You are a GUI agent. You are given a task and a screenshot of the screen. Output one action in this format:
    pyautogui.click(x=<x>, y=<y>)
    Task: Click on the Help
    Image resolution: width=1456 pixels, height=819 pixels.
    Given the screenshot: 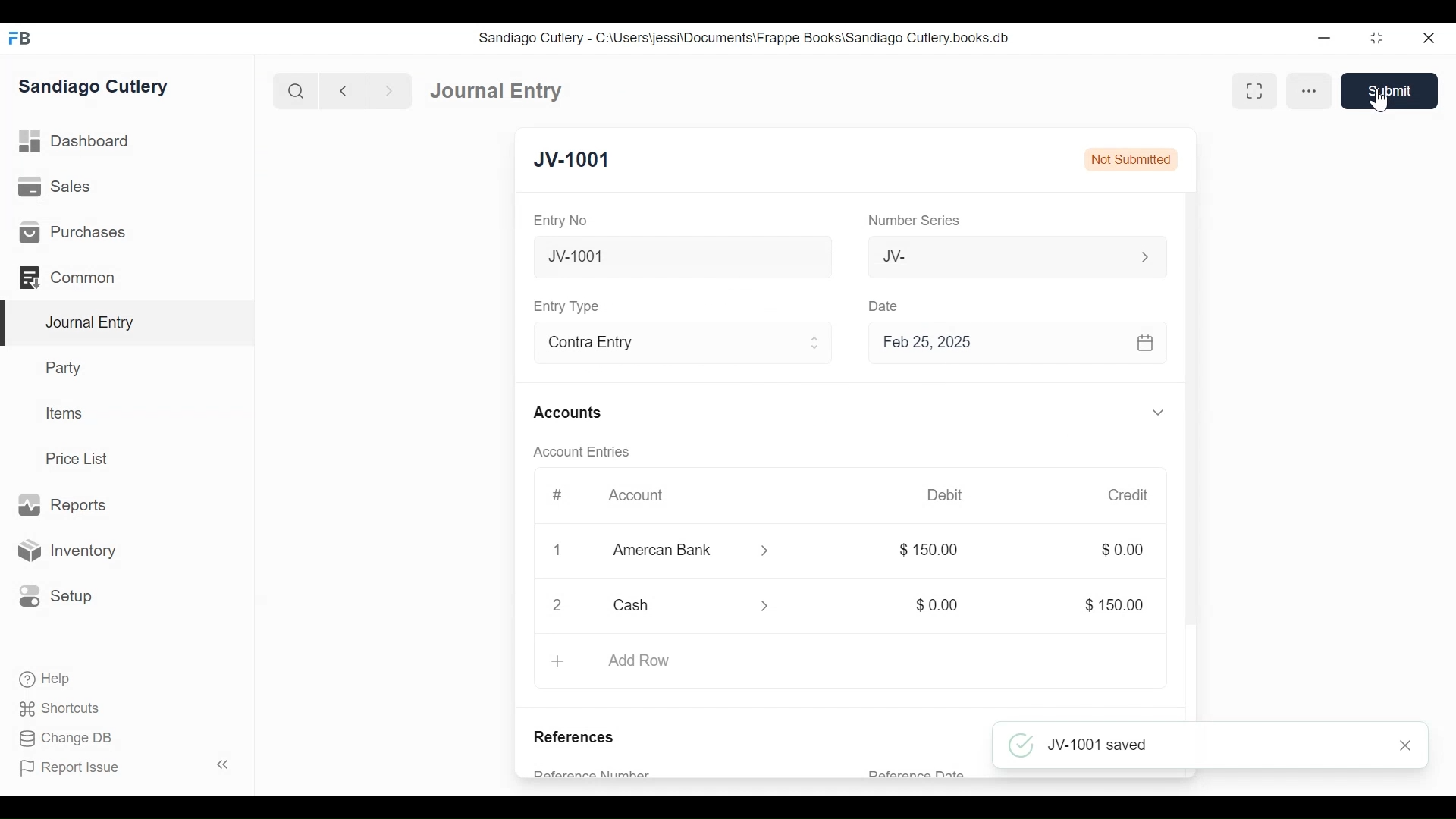 What is the action you would take?
    pyautogui.click(x=43, y=678)
    